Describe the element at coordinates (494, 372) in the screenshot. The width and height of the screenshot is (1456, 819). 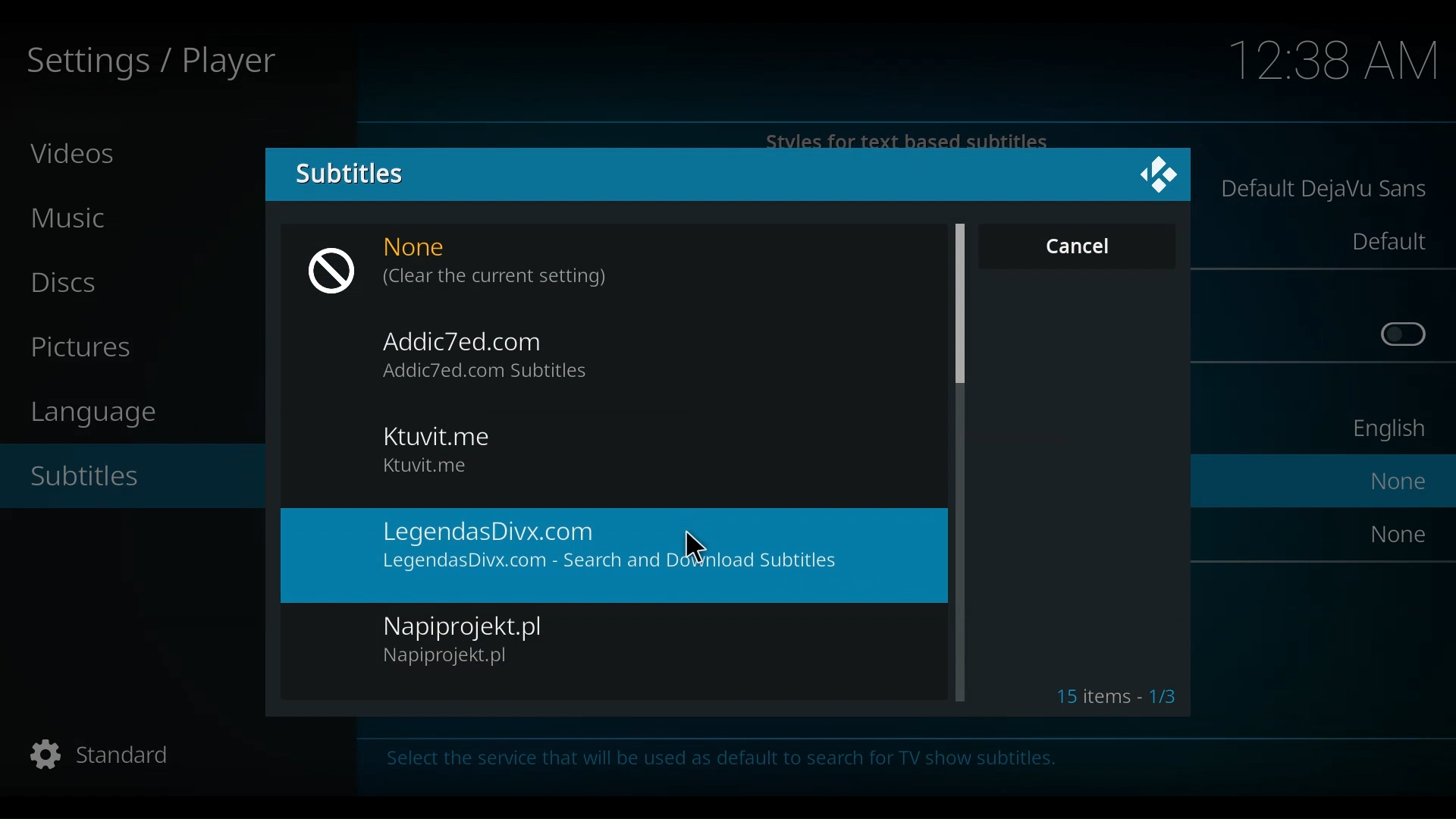
I see `Addict7ed.com subtitlees` at that location.